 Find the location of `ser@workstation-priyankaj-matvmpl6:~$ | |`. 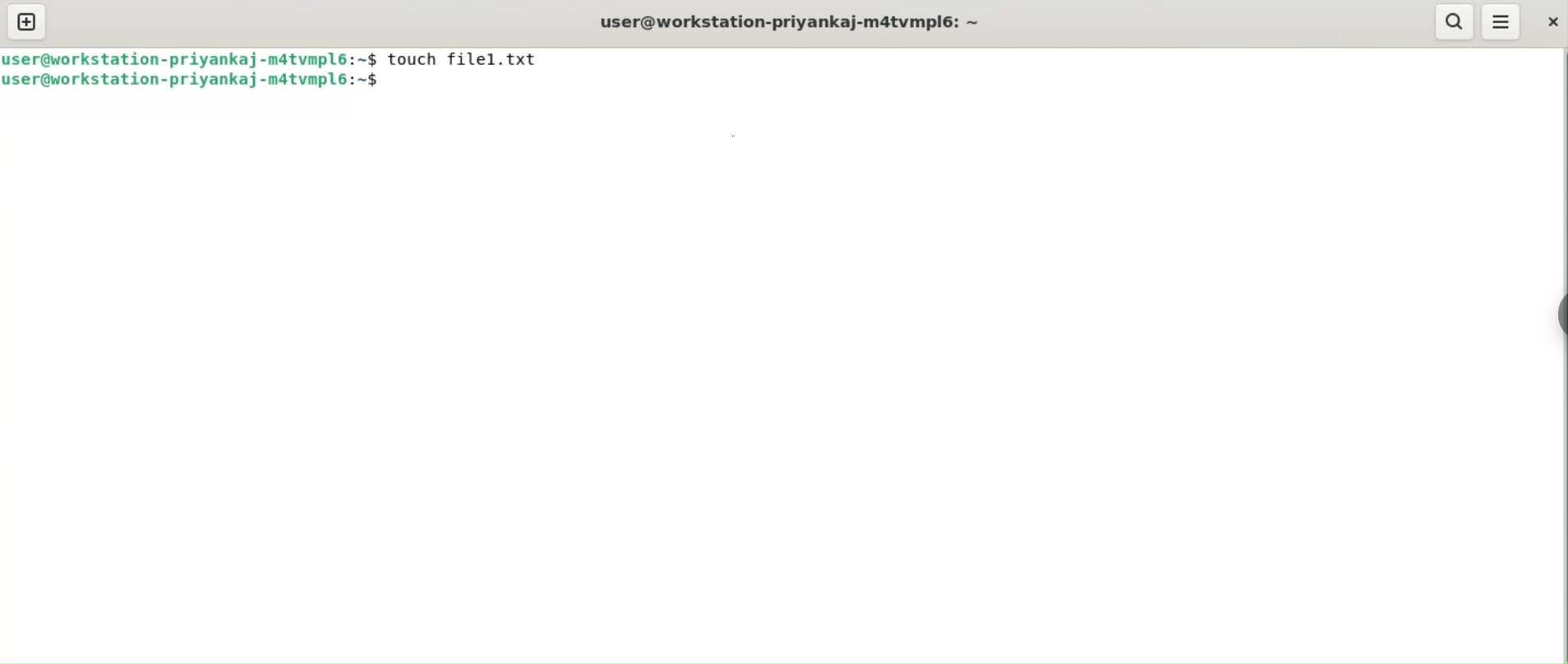

ser@workstation-priyankaj-matvmpl6:~$ | | is located at coordinates (191, 58).